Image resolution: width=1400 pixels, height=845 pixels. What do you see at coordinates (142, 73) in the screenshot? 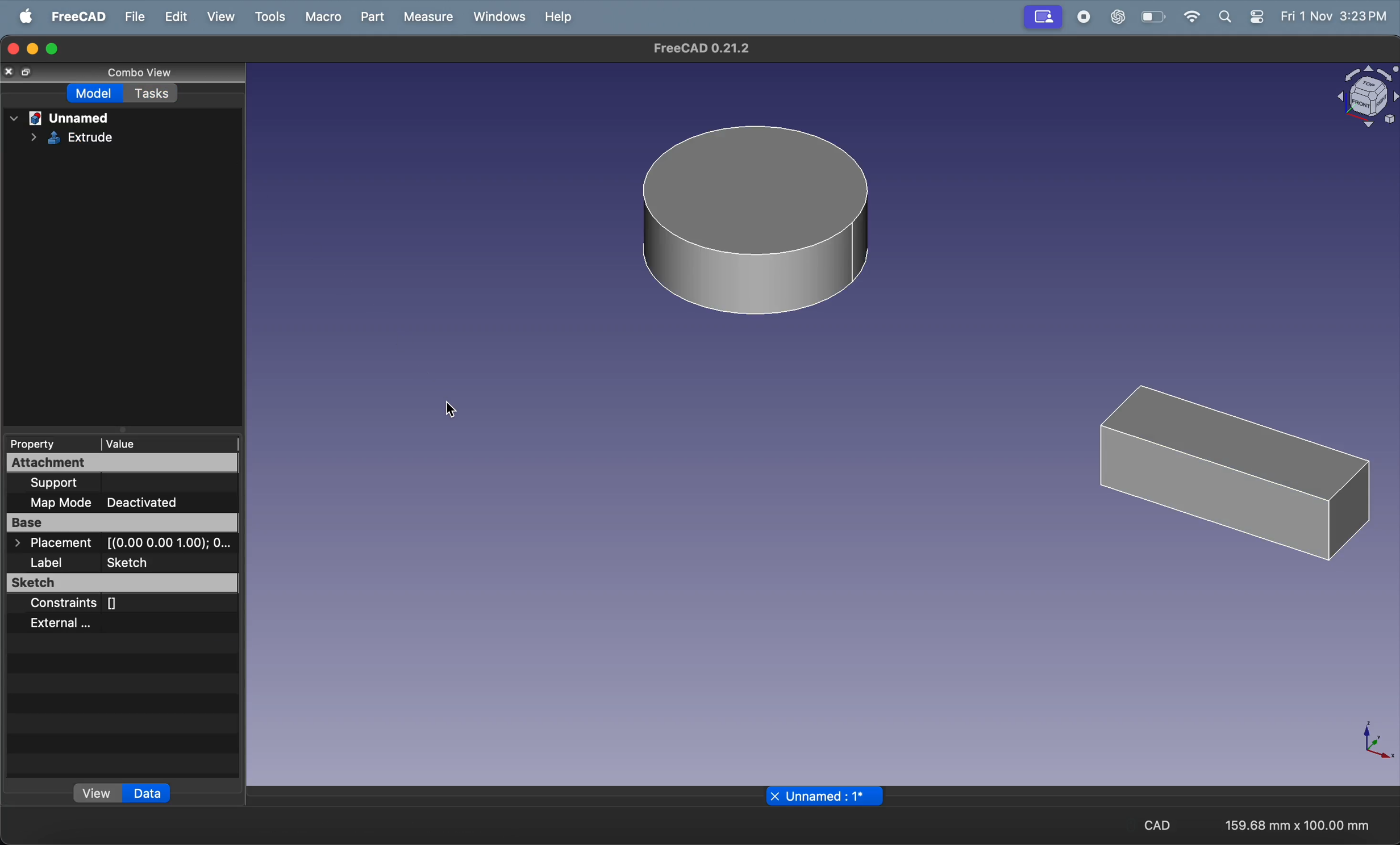
I see `Combo View` at bounding box center [142, 73].